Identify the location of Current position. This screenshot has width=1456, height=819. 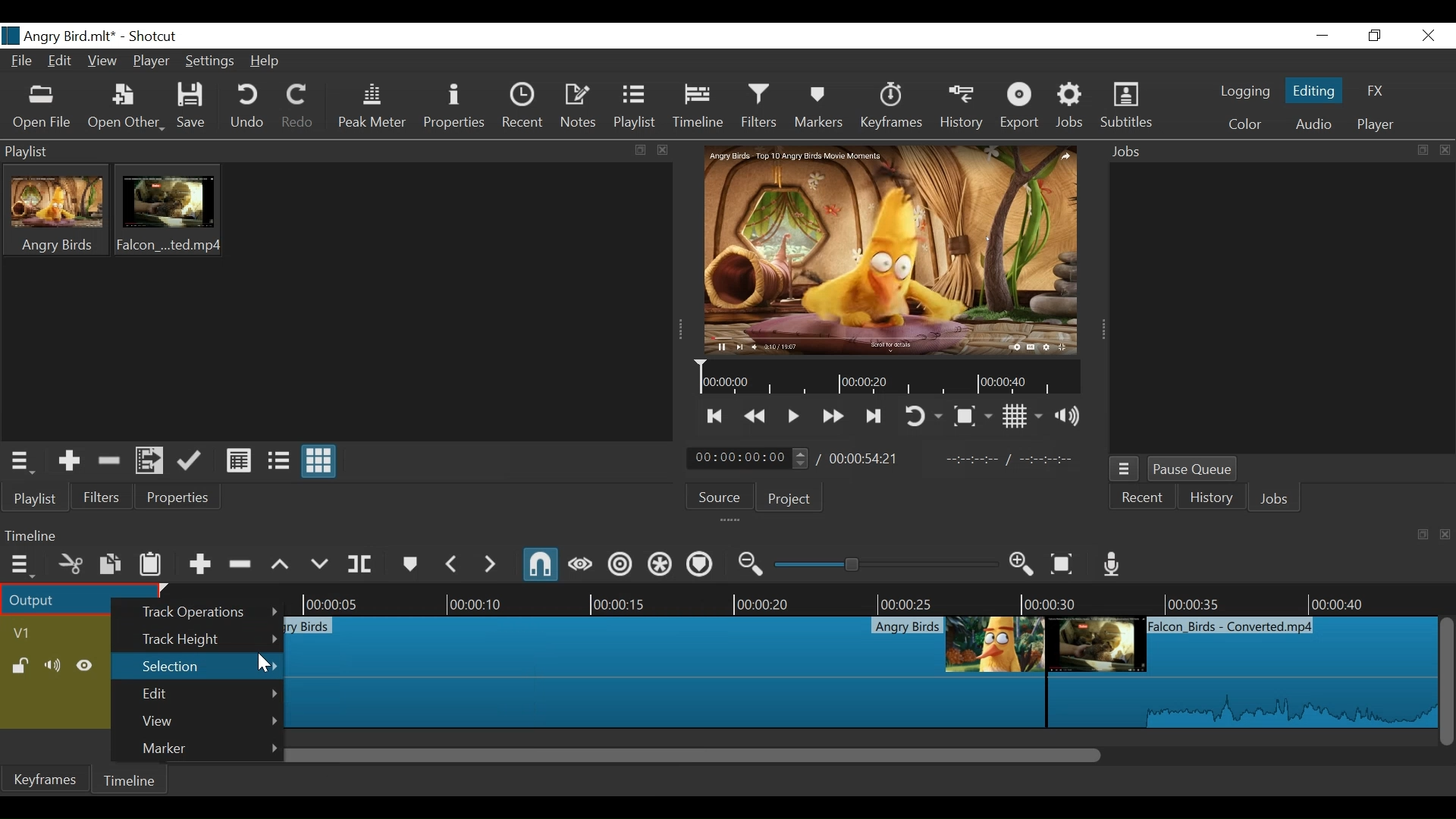
(747, 458).